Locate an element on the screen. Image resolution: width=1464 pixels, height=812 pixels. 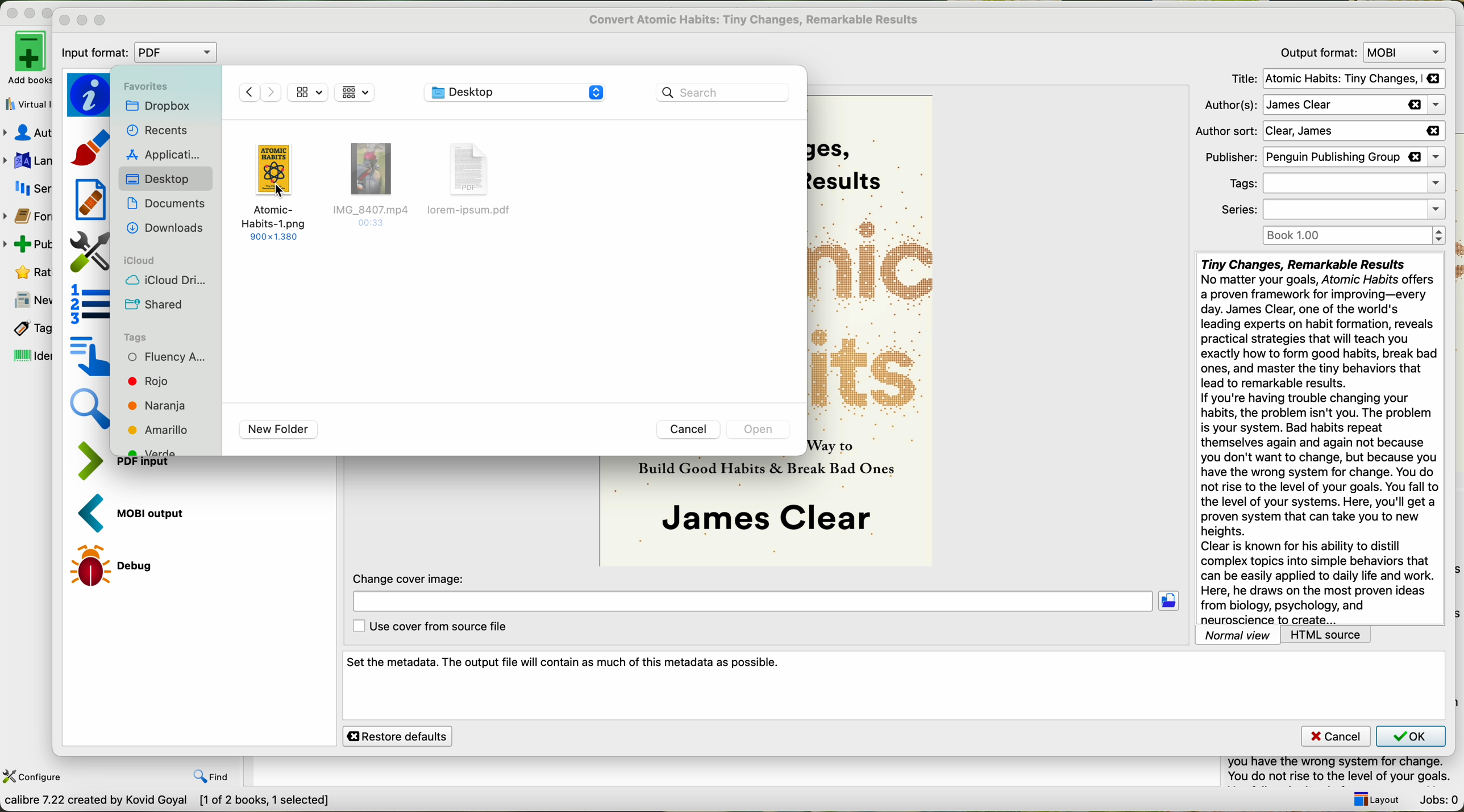
click on folder location is located at coordinates (1172, 602).